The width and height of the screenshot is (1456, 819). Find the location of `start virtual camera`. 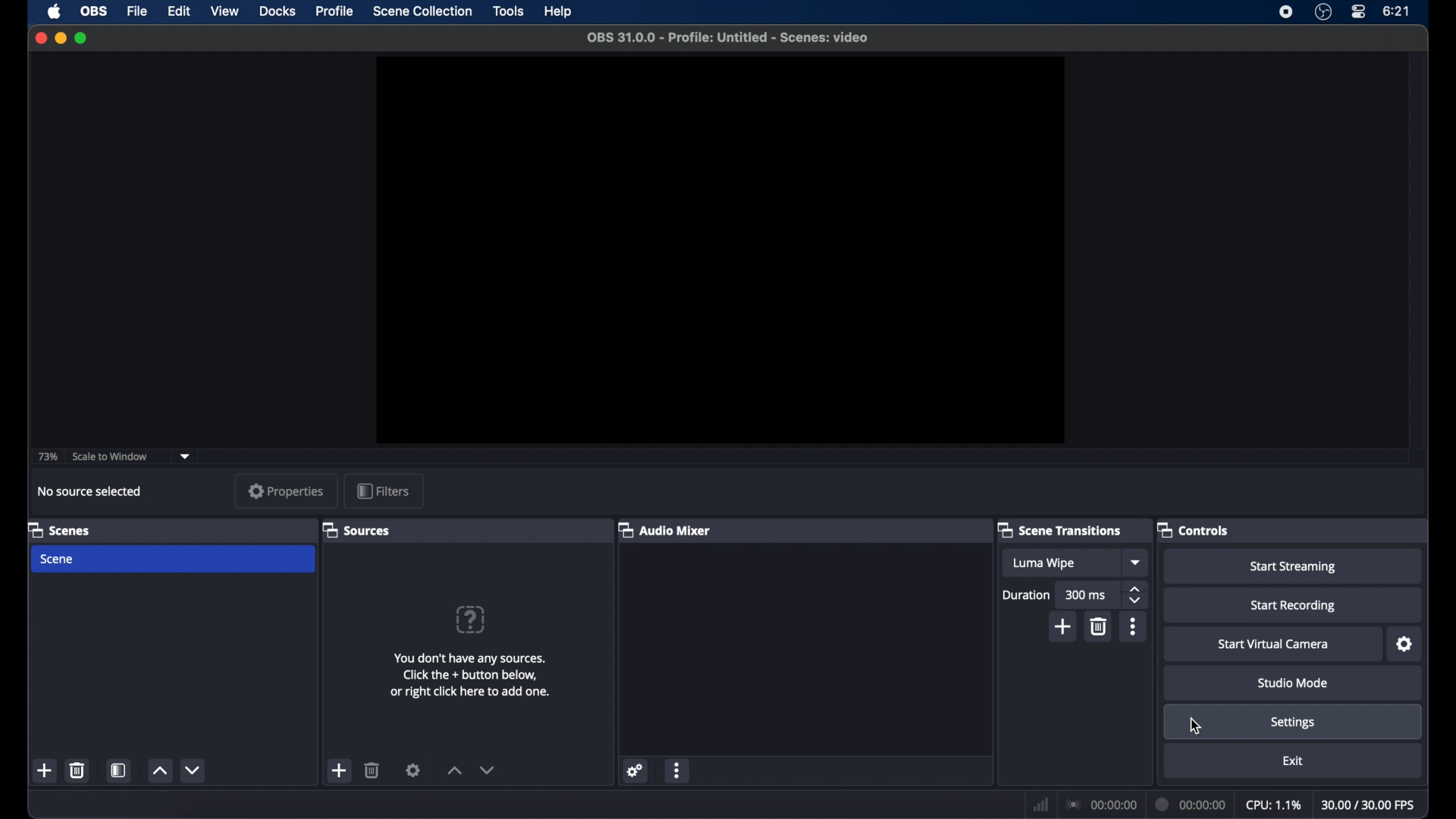

start virtual camera is located at coordinates (1273, 645).